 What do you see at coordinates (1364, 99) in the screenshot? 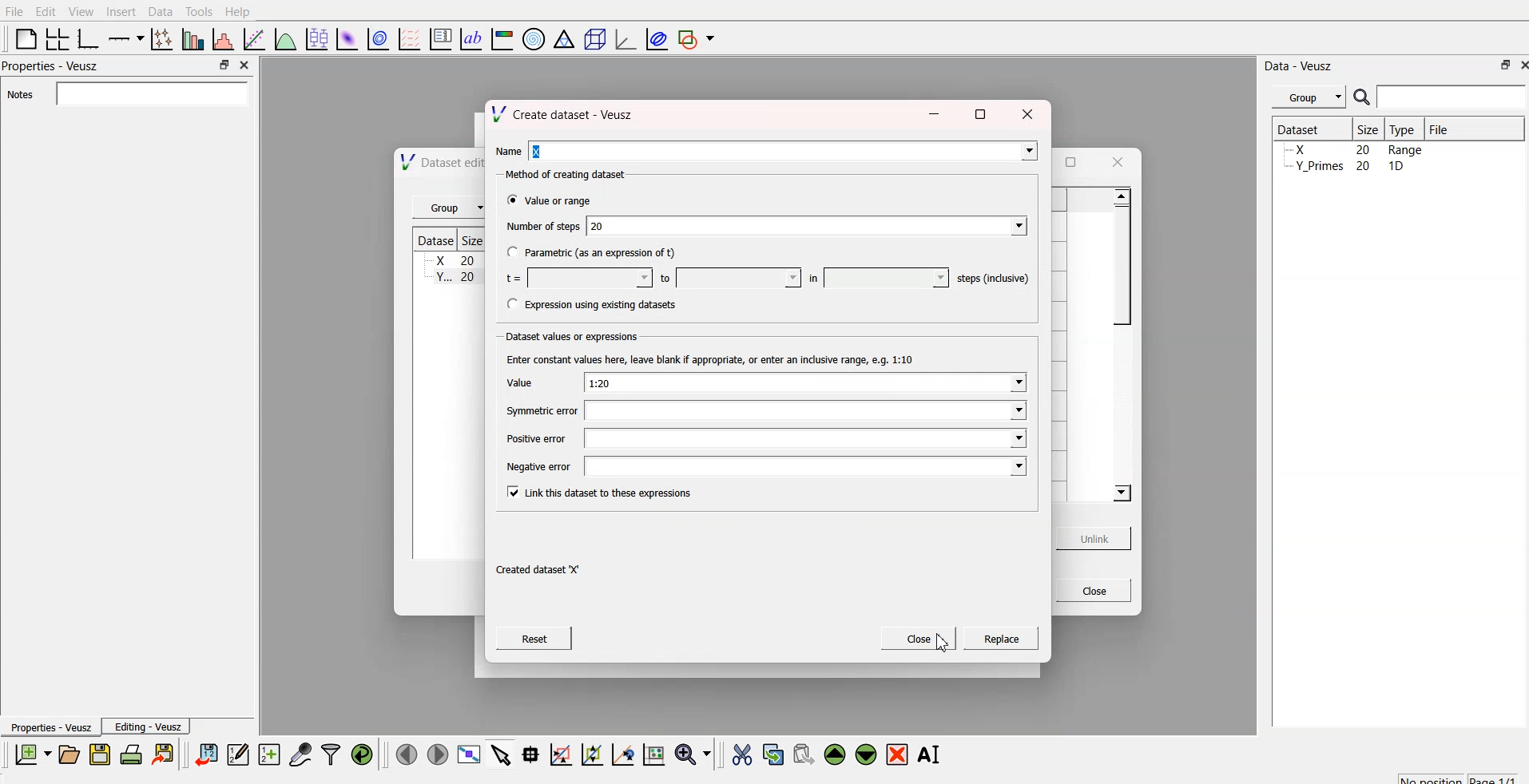
I see `search icon` at bounding box center [1364, 99].